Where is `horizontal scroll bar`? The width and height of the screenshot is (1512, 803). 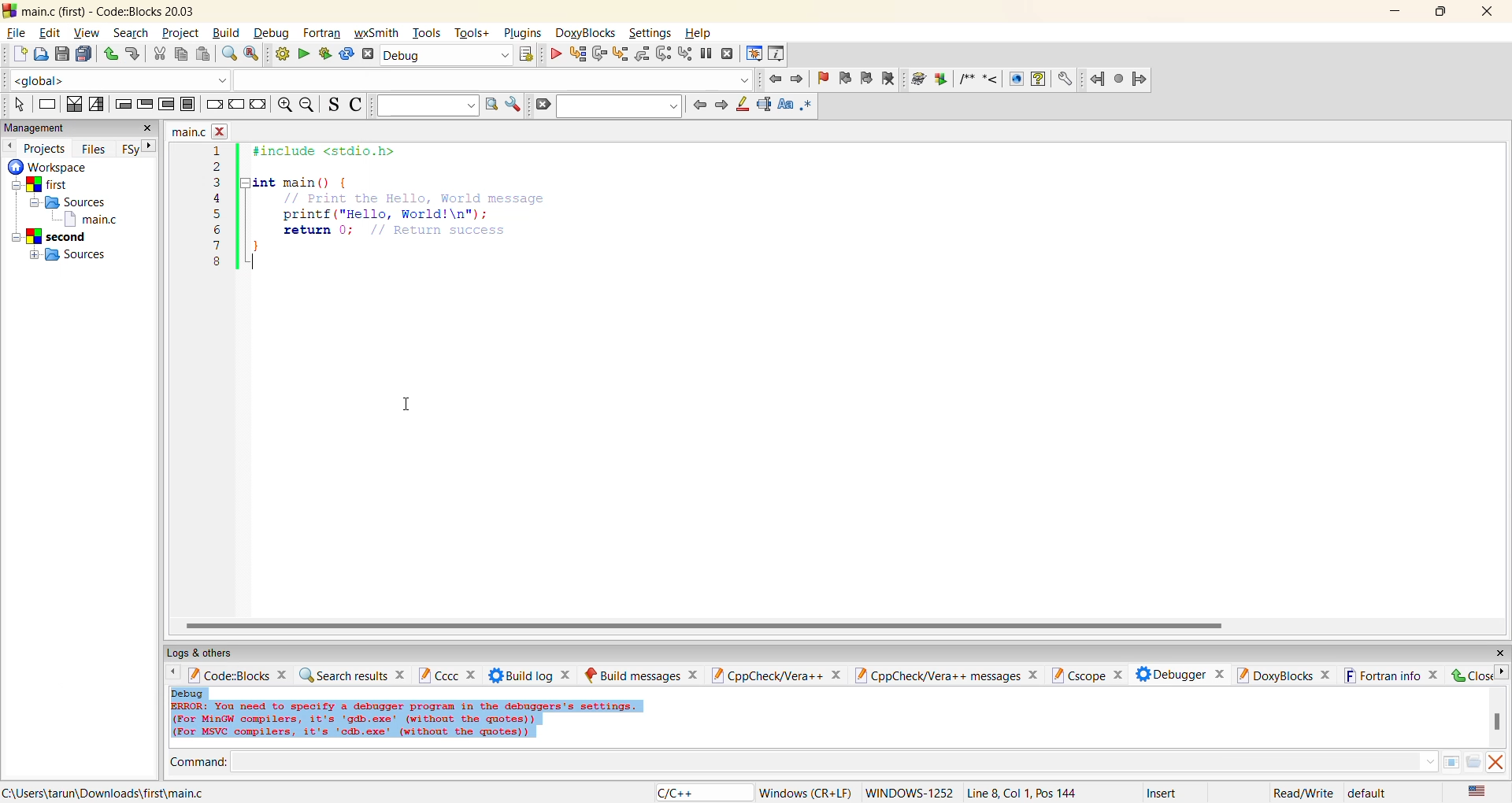 horizontal scroll bar is located at coordinates (702, 625).